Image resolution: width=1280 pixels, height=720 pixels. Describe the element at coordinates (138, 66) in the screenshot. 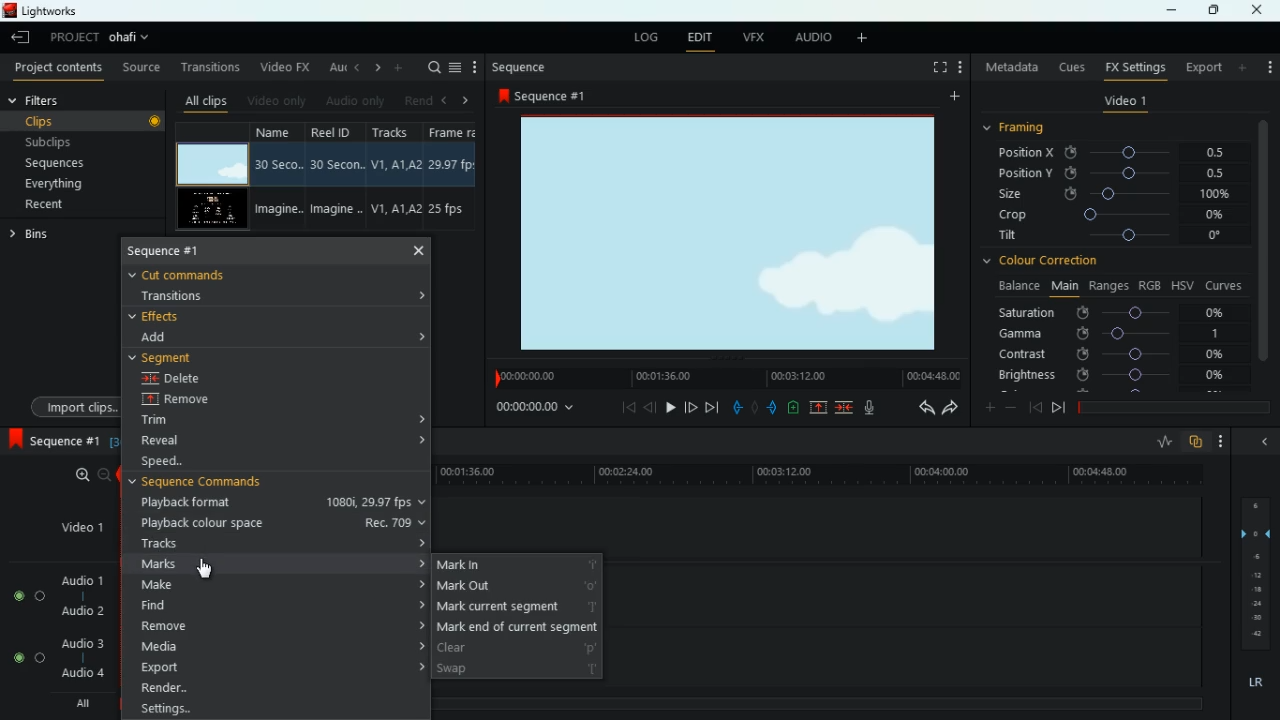

I see `source` at that location.